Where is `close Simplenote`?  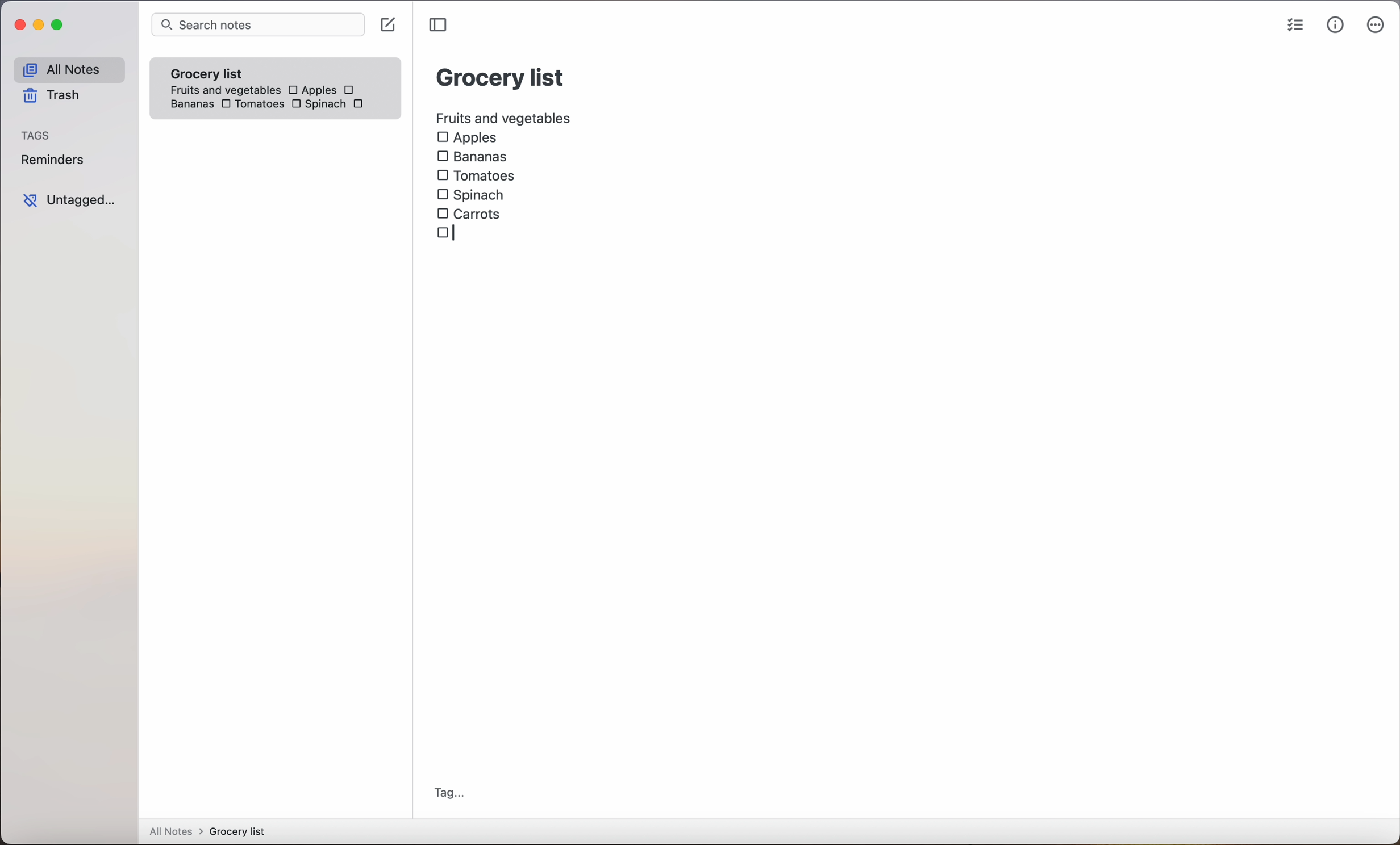 close Simplenote is located at coordinates (19, 26).